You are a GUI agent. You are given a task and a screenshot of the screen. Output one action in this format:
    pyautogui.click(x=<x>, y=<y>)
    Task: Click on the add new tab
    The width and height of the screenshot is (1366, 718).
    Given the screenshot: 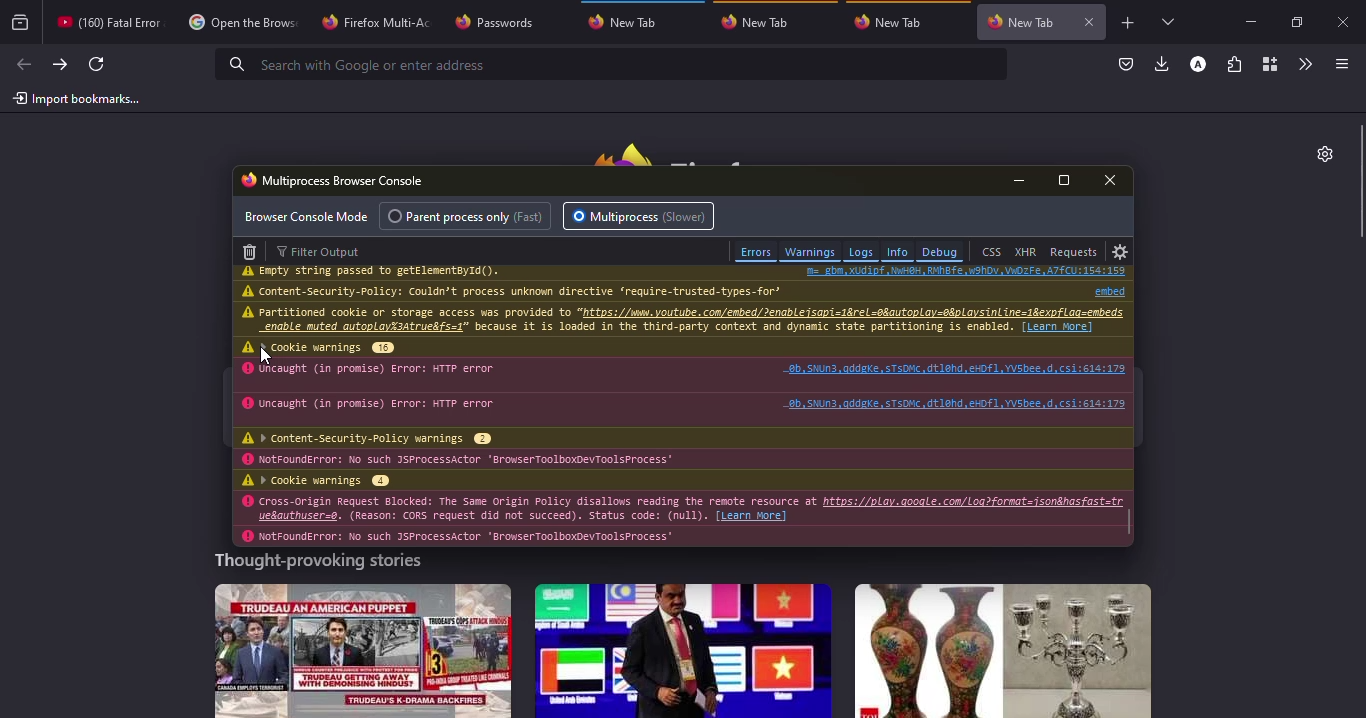 What is the action you would take?
    pyautogui.click(x=1129, y=23)
    